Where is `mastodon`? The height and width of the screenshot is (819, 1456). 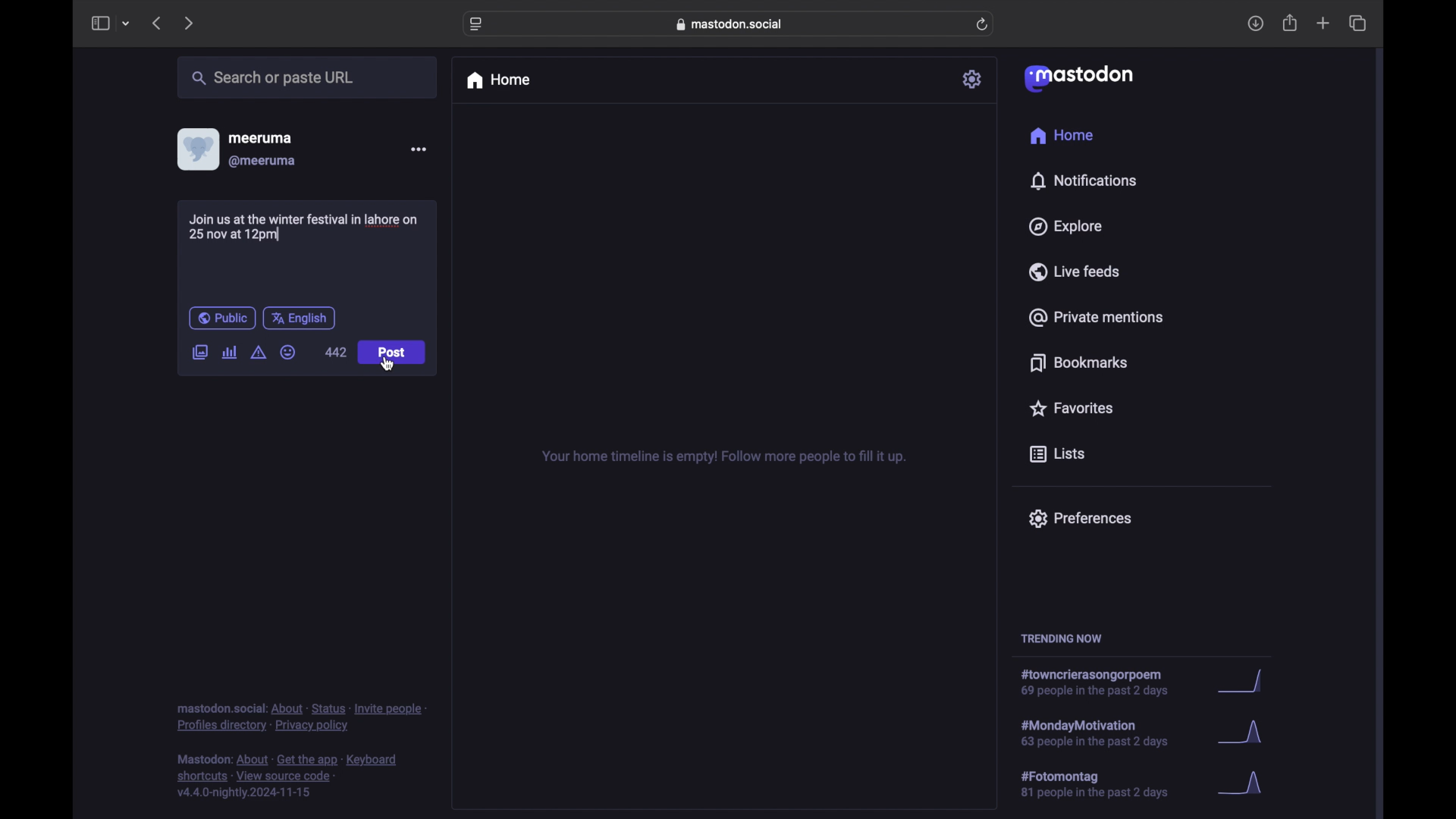 mastodon is located at coordinates (1077, 77).